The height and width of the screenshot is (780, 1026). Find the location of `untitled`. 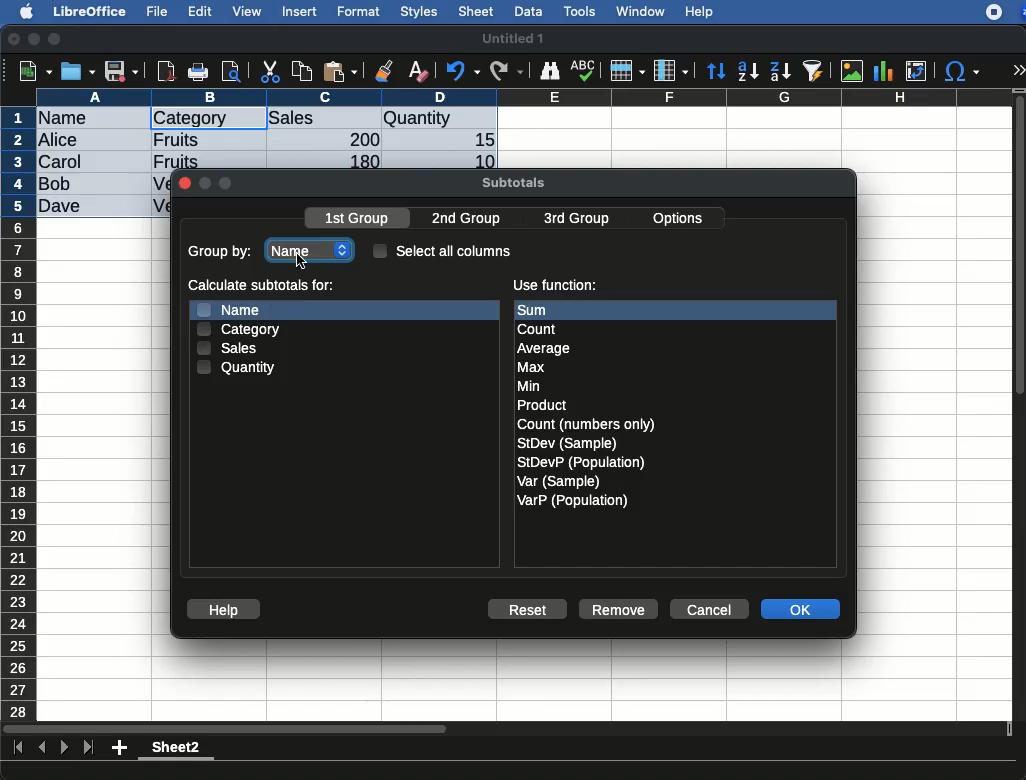

untitled is located at coordinates (512, 39).